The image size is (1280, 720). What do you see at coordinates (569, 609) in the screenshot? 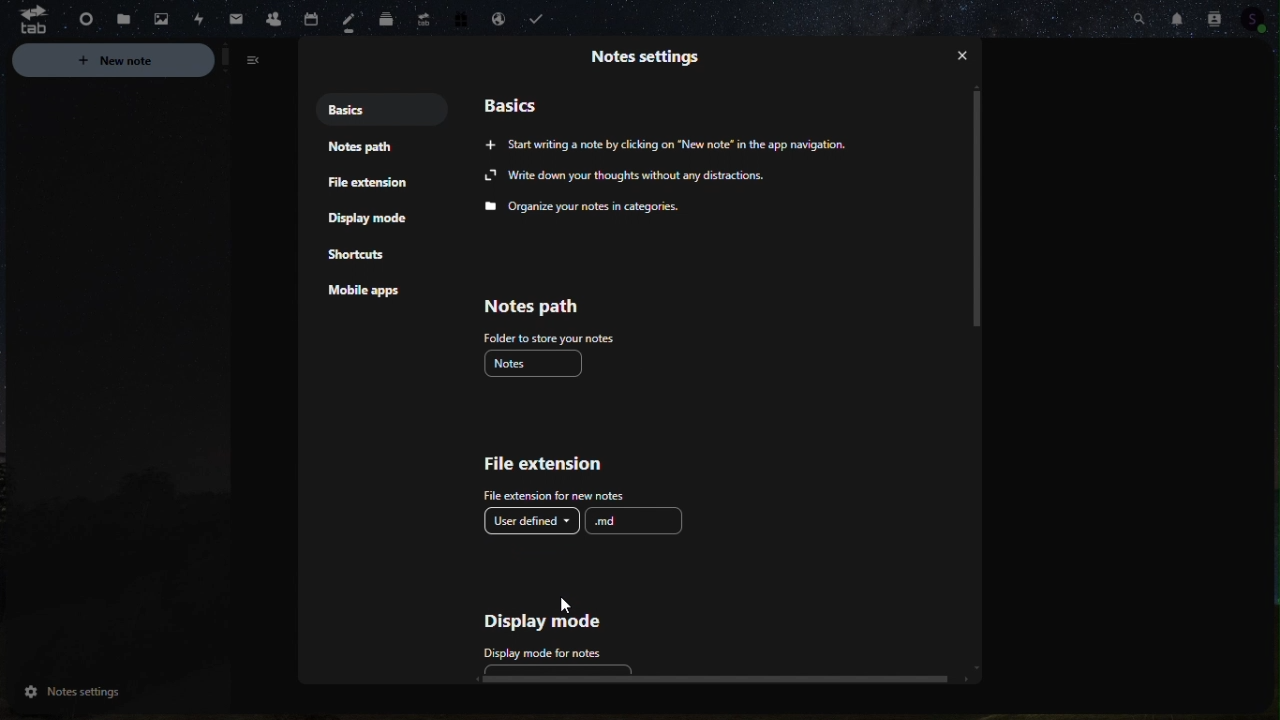
I see `cursor` at bounding box center [569, 609].